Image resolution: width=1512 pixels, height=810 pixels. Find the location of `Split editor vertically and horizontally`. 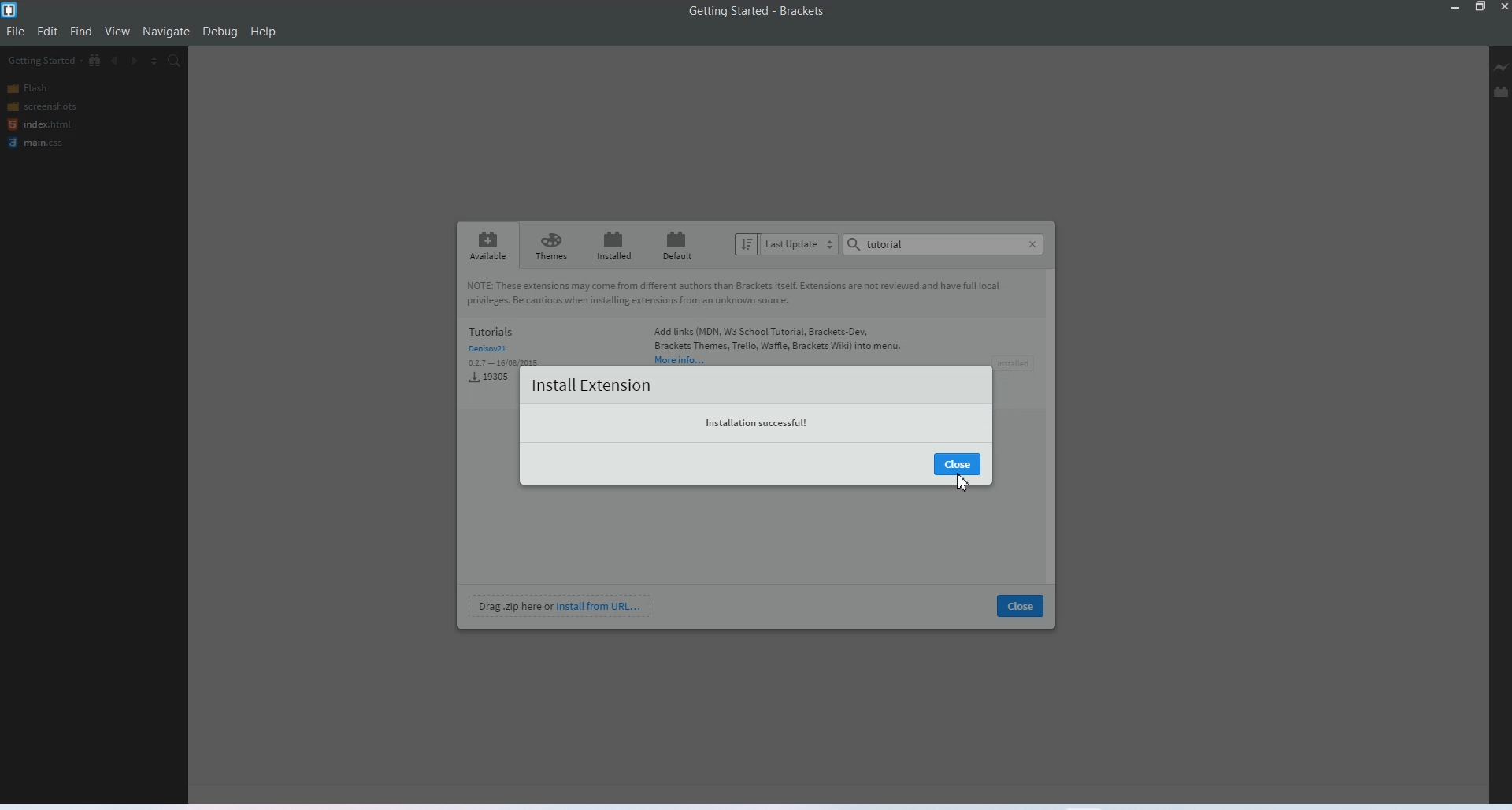

Split editor vertically and horizontally is located at coordinates (155, 61).